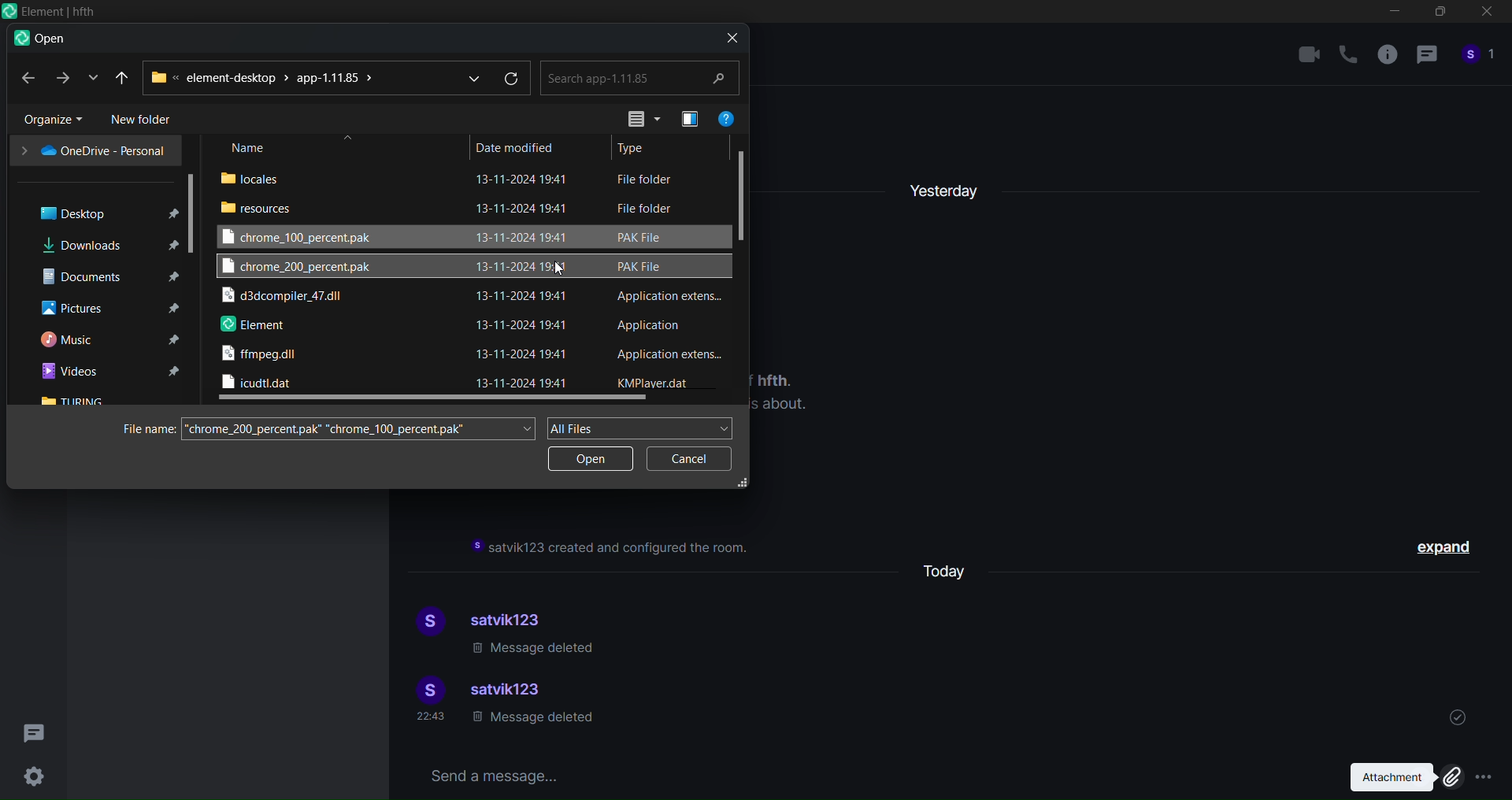  What do you see at coordinates (36, 728) in the screenshot?
I see `threads` at bounding box center [36, 728].